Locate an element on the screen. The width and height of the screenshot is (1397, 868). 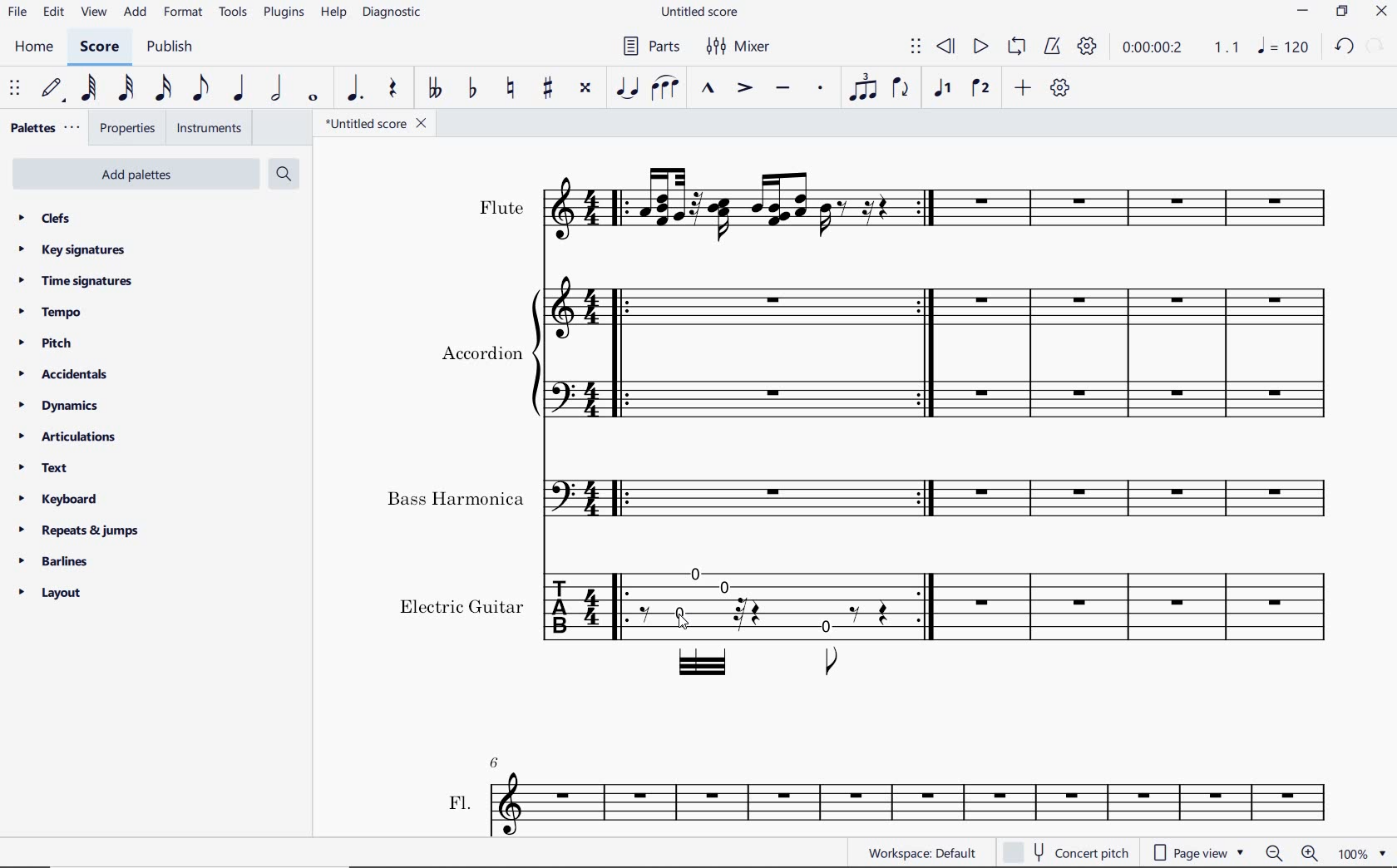
metronome is located at coordinates (1051, 46).